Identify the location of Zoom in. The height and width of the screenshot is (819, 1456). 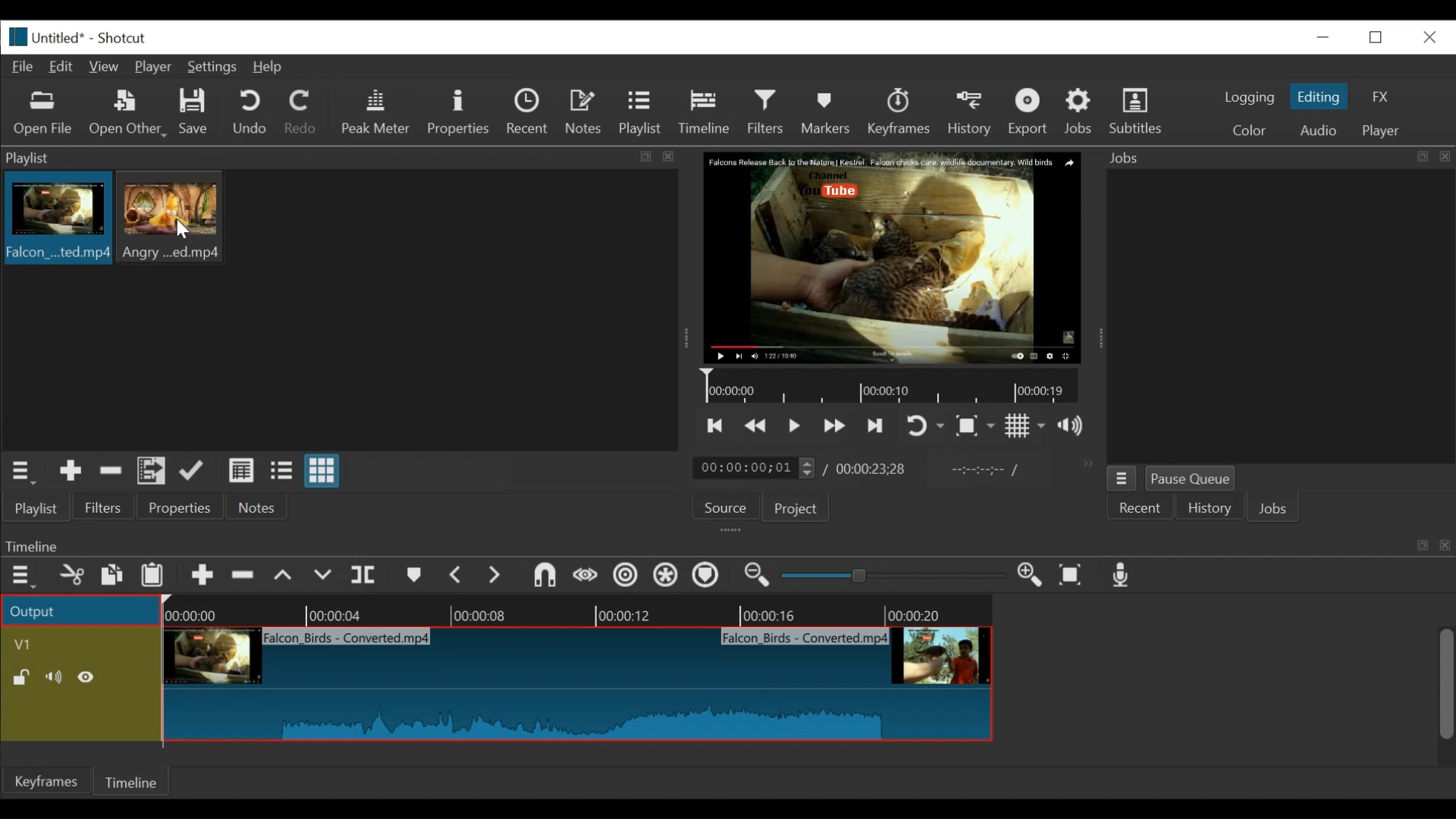
(1032, 576).